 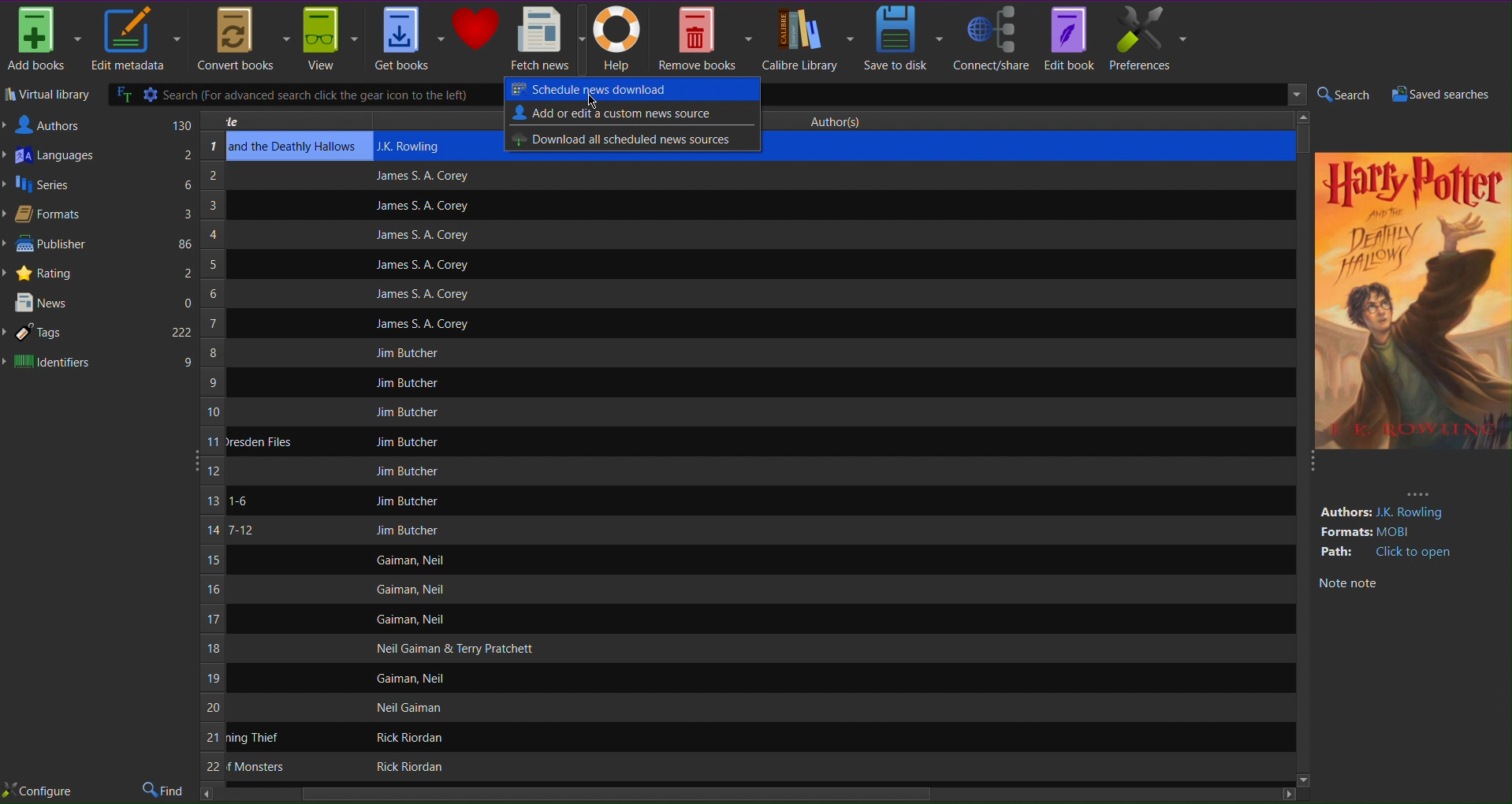 I want to click on Gaiman, Neil, so click(x=412, y=620).